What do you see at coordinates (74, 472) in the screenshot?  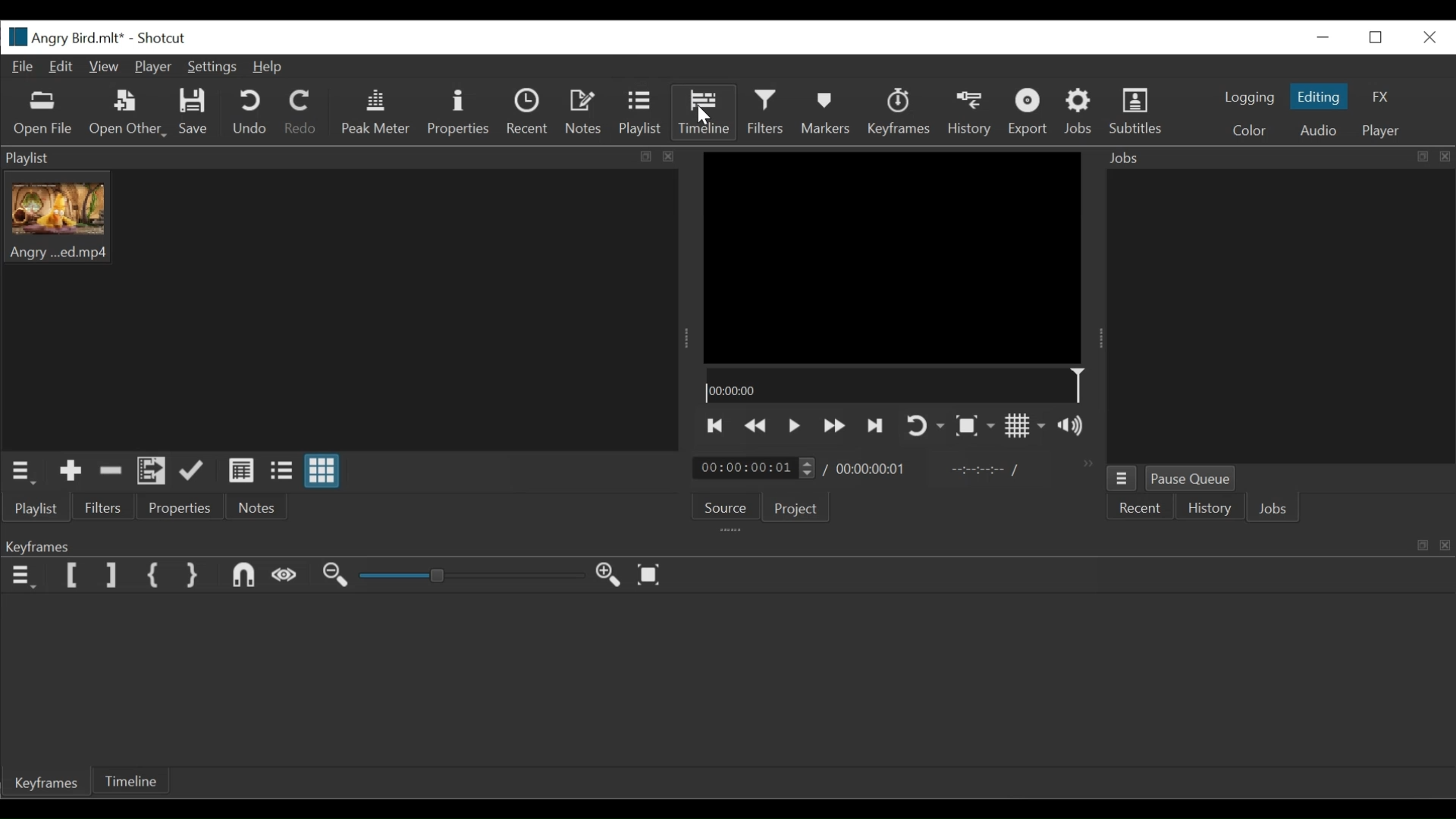 I see `Add Source to the playlist` at bounding box center [74, 472].